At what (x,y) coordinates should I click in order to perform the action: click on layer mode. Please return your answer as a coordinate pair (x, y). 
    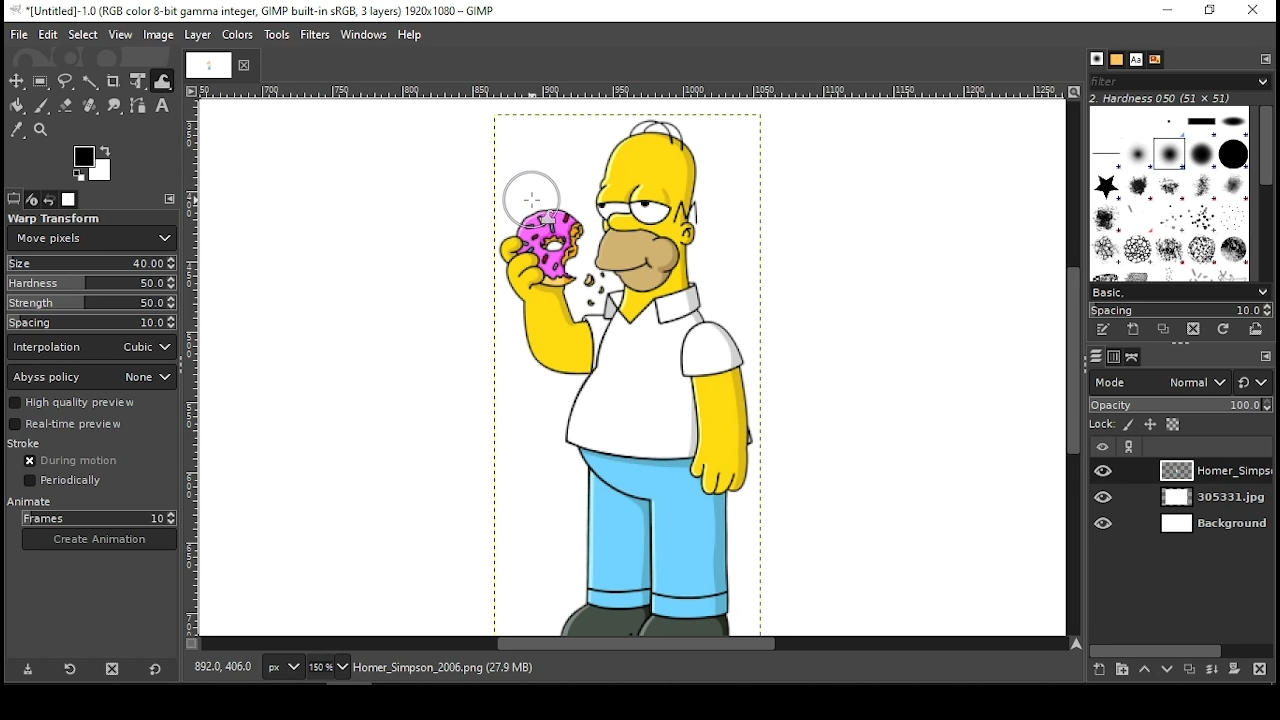
    Looking at the image, I should click on (1160, 382).